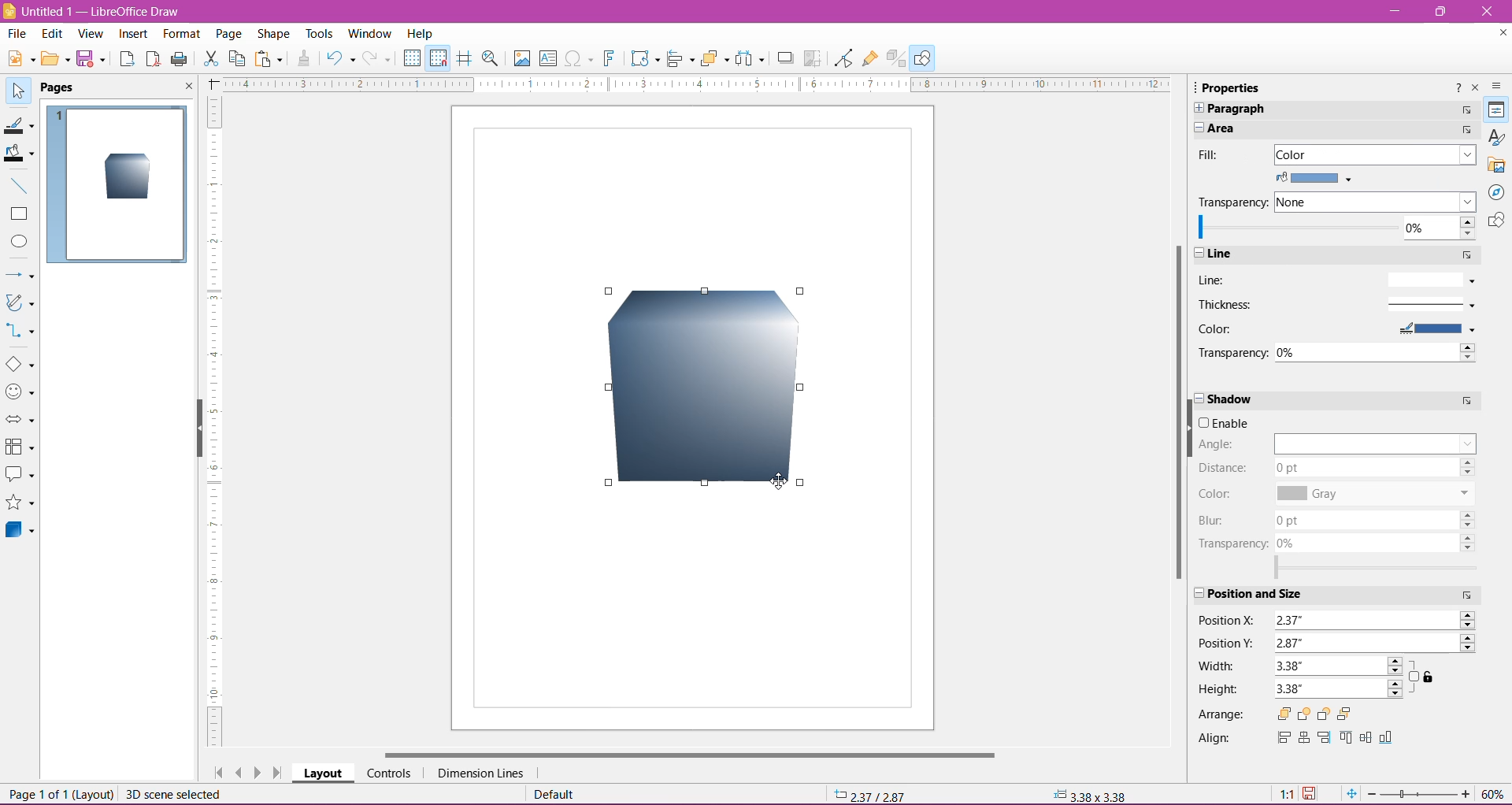 Image resolution: width=1512 pixels, height=805 pixels. I want to click on Select the type of transparency to apply, so click(1377, 202).